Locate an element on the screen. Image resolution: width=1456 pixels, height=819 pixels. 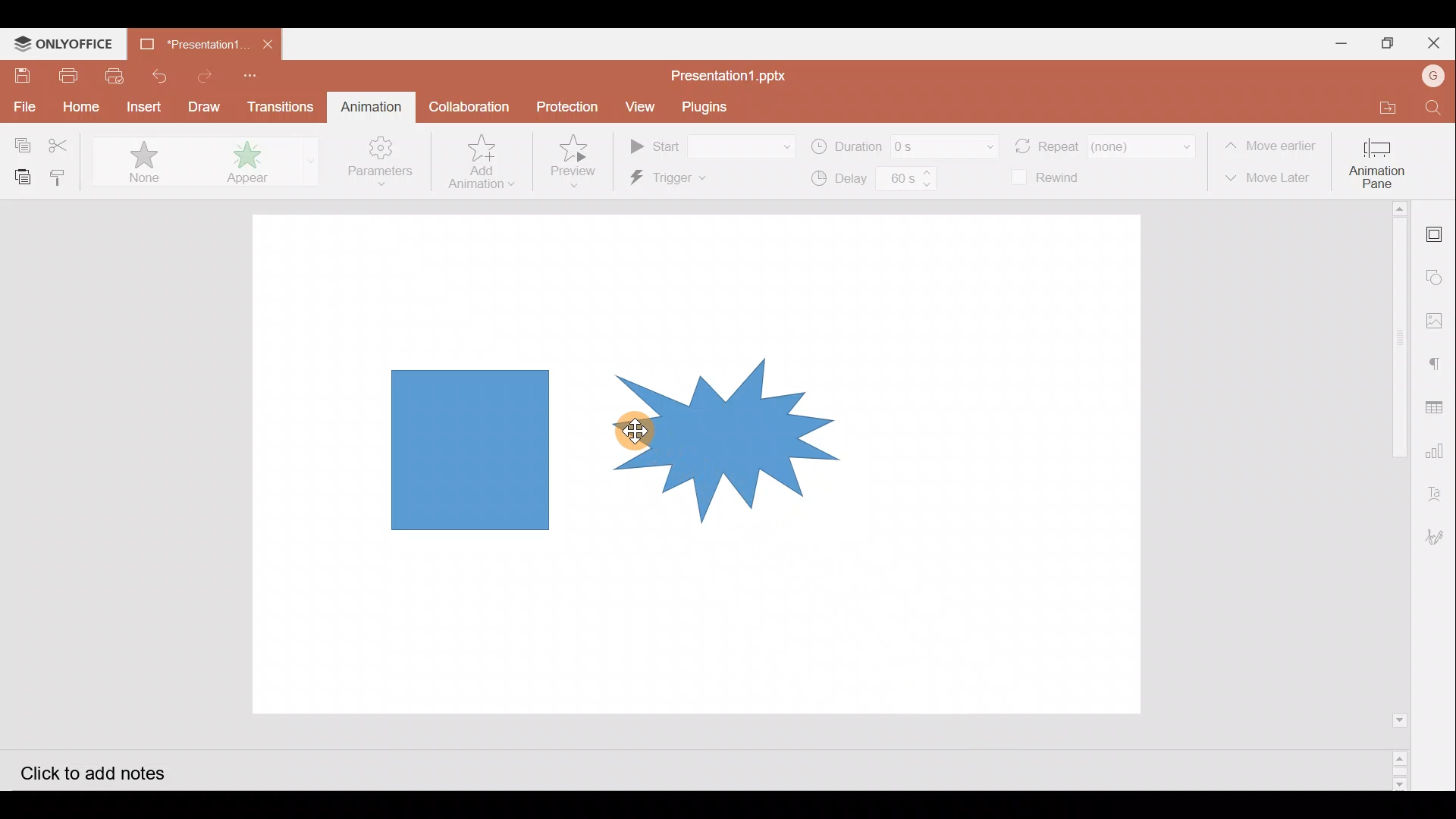
Image settings is located at coordinates (1439, 325).